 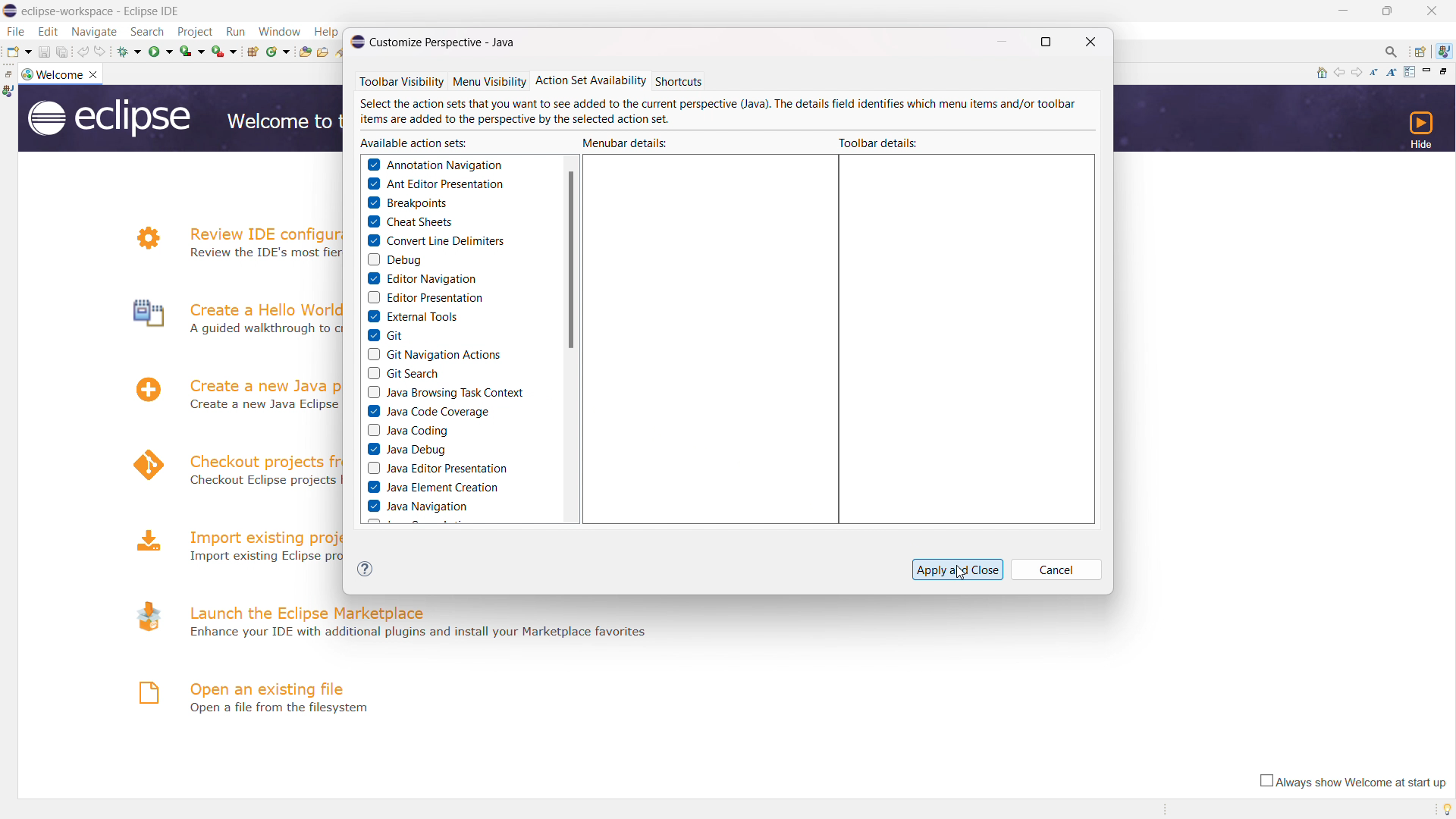 I want to click on git search, so click(x=401, y=374).